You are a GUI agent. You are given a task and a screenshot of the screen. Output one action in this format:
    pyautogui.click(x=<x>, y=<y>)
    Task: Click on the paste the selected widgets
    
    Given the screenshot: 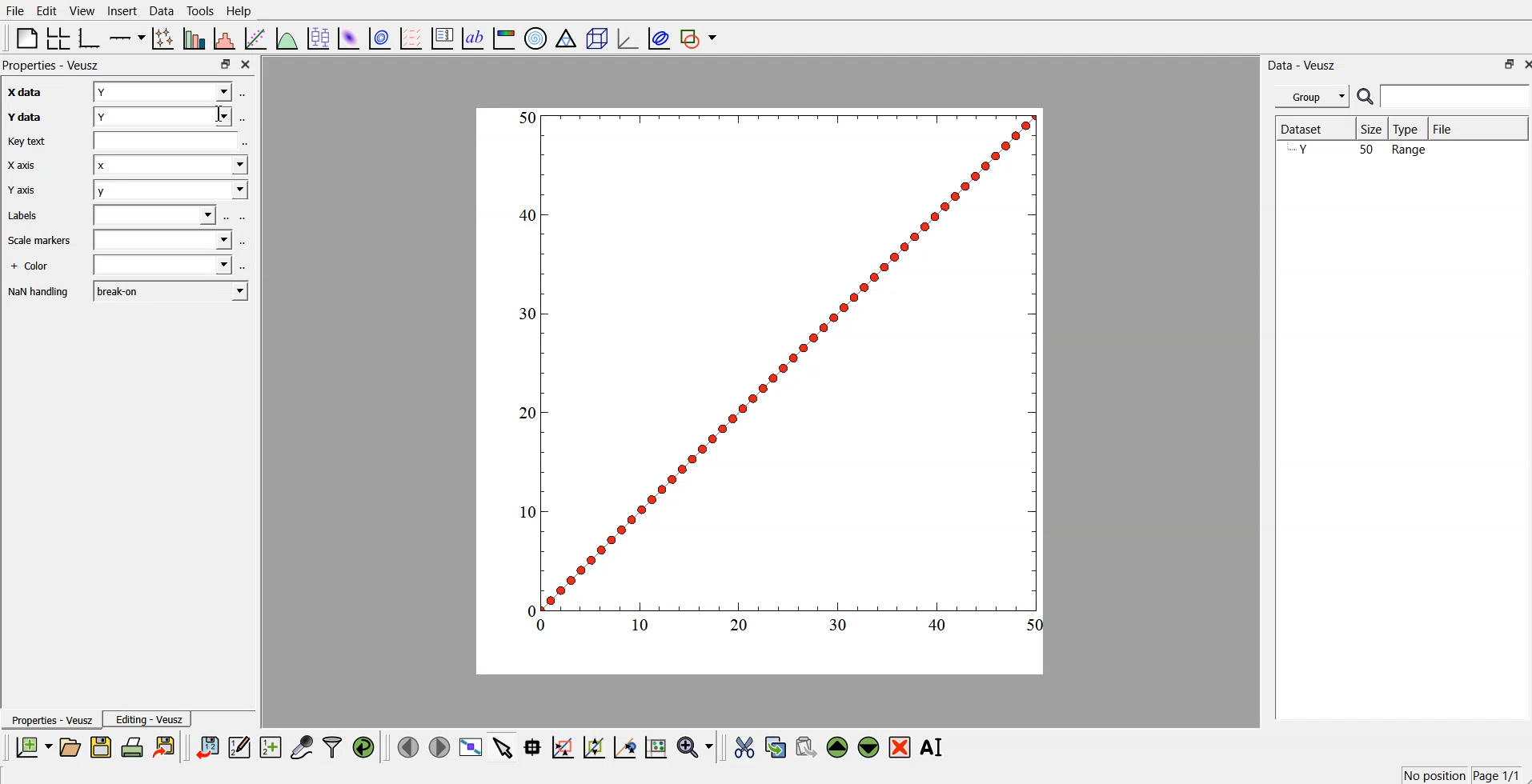 What is the action you would take?
    pyautogui.click(x=806, y=748)
    